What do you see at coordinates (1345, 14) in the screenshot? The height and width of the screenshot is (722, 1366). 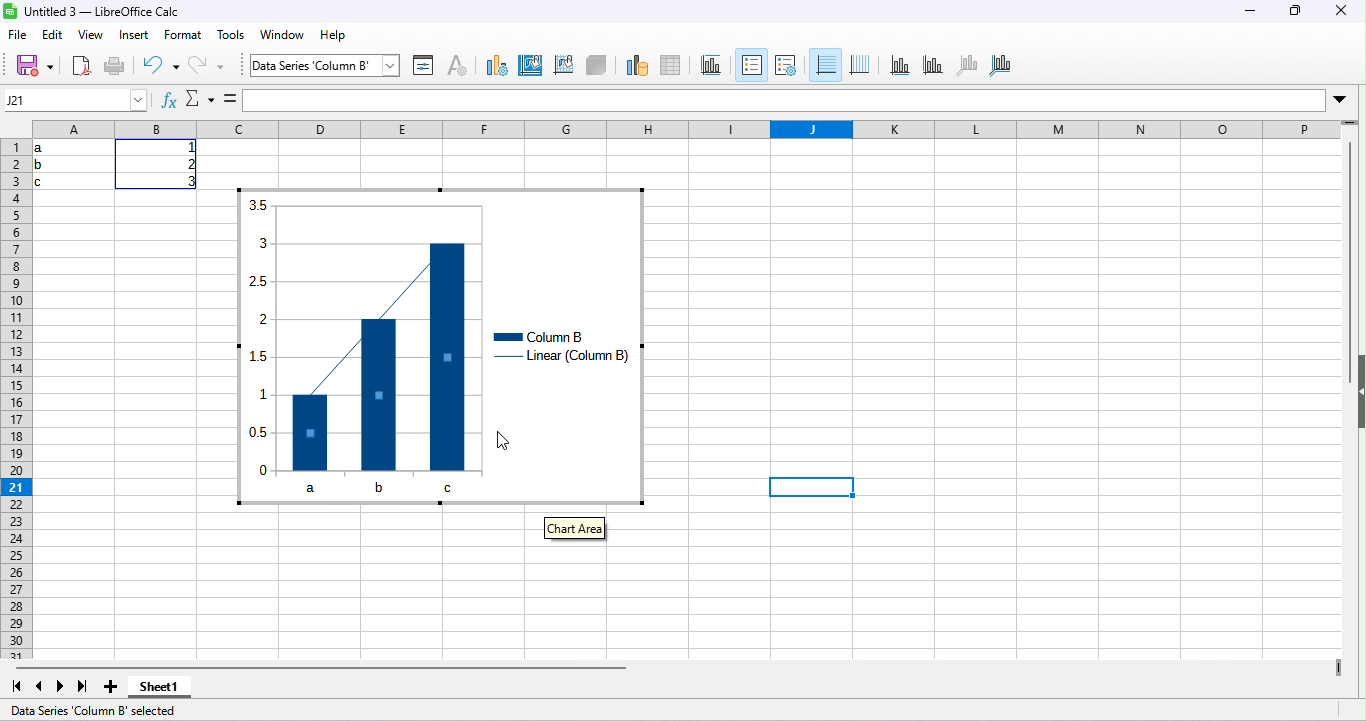 I see `close` at bounding box center [1345, 14].